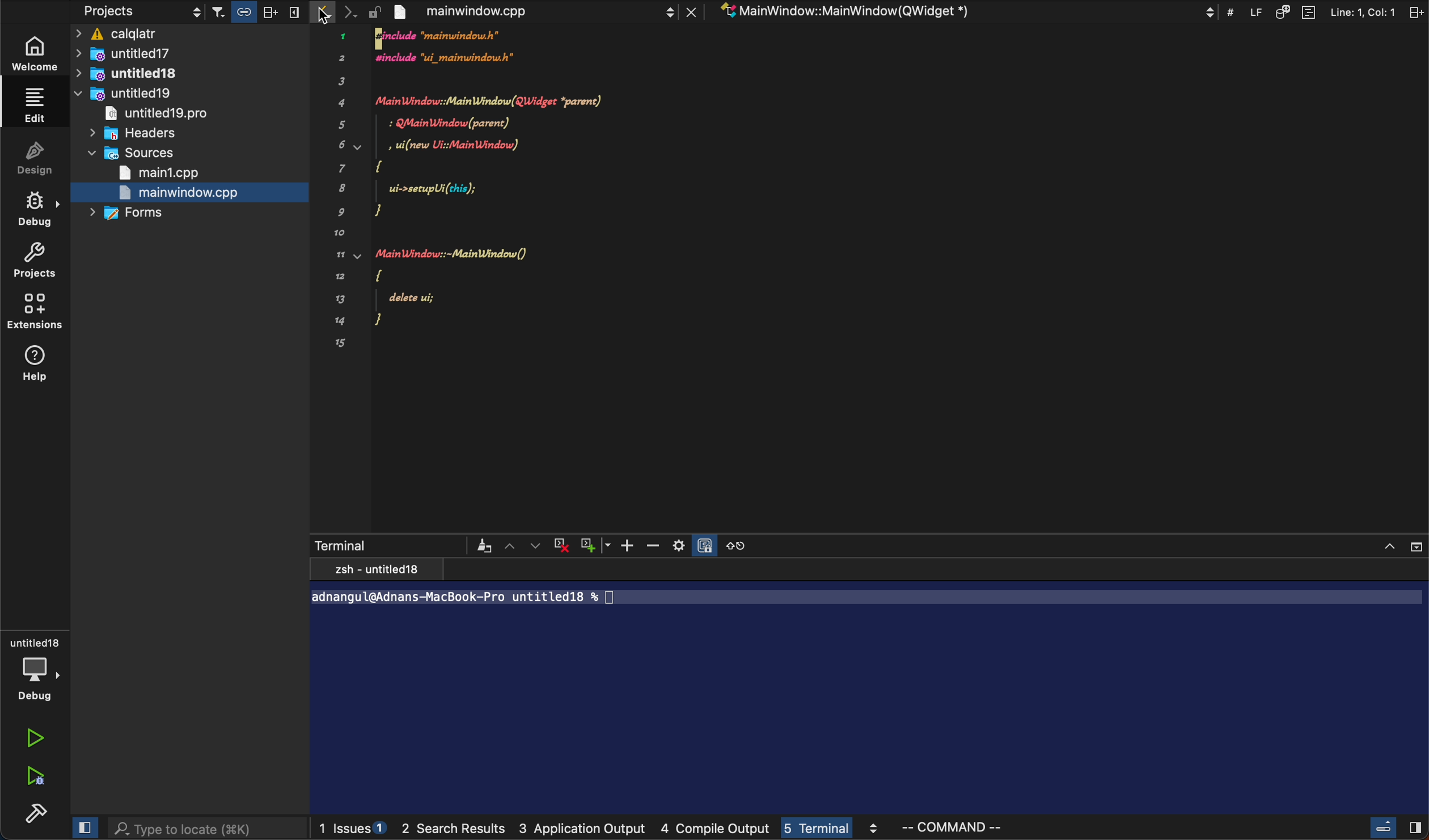  I want to click on close, so click(1398, 544).